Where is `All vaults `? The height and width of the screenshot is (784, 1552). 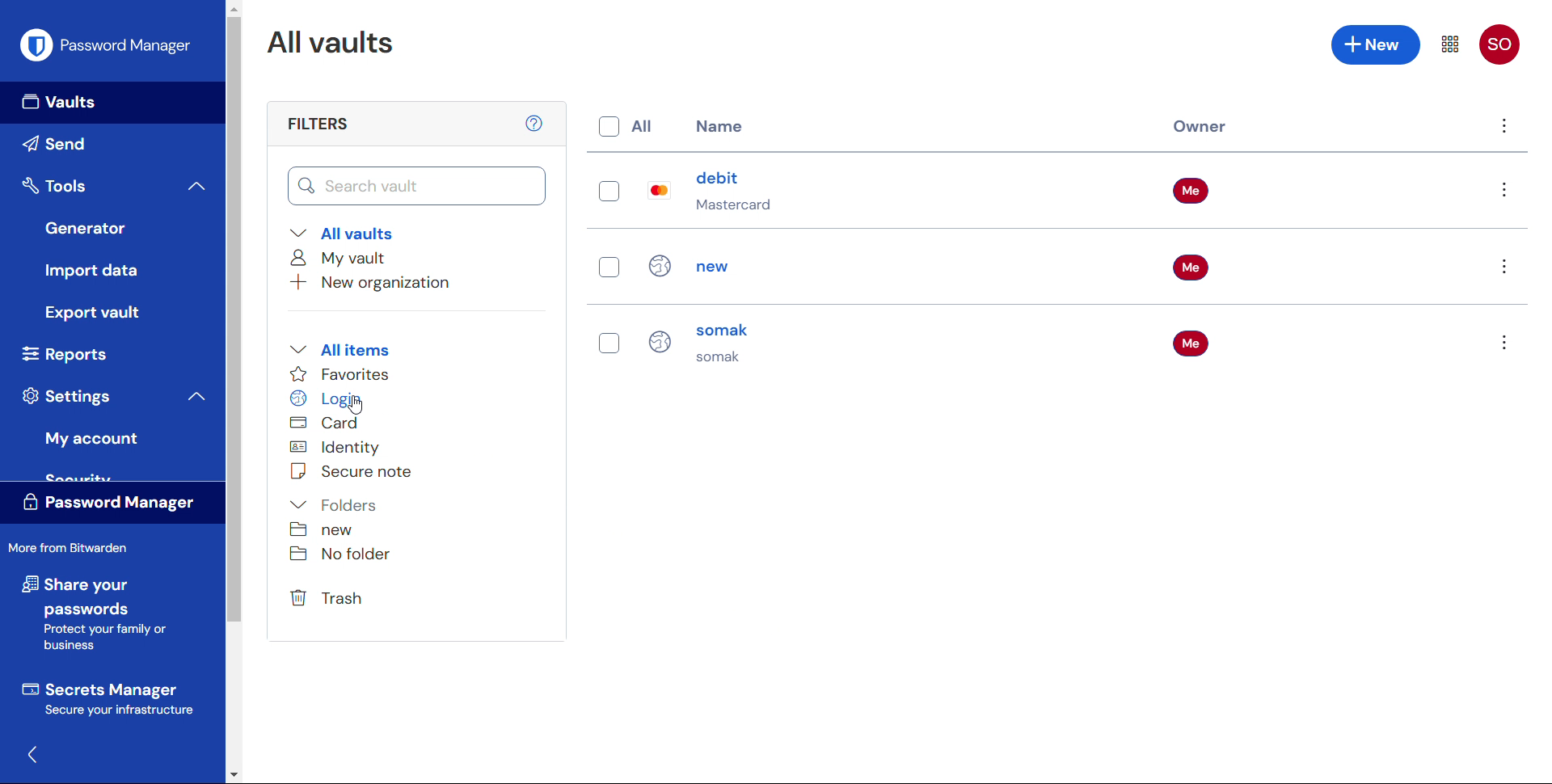 All vaults  is located at coordinates (347, 234).